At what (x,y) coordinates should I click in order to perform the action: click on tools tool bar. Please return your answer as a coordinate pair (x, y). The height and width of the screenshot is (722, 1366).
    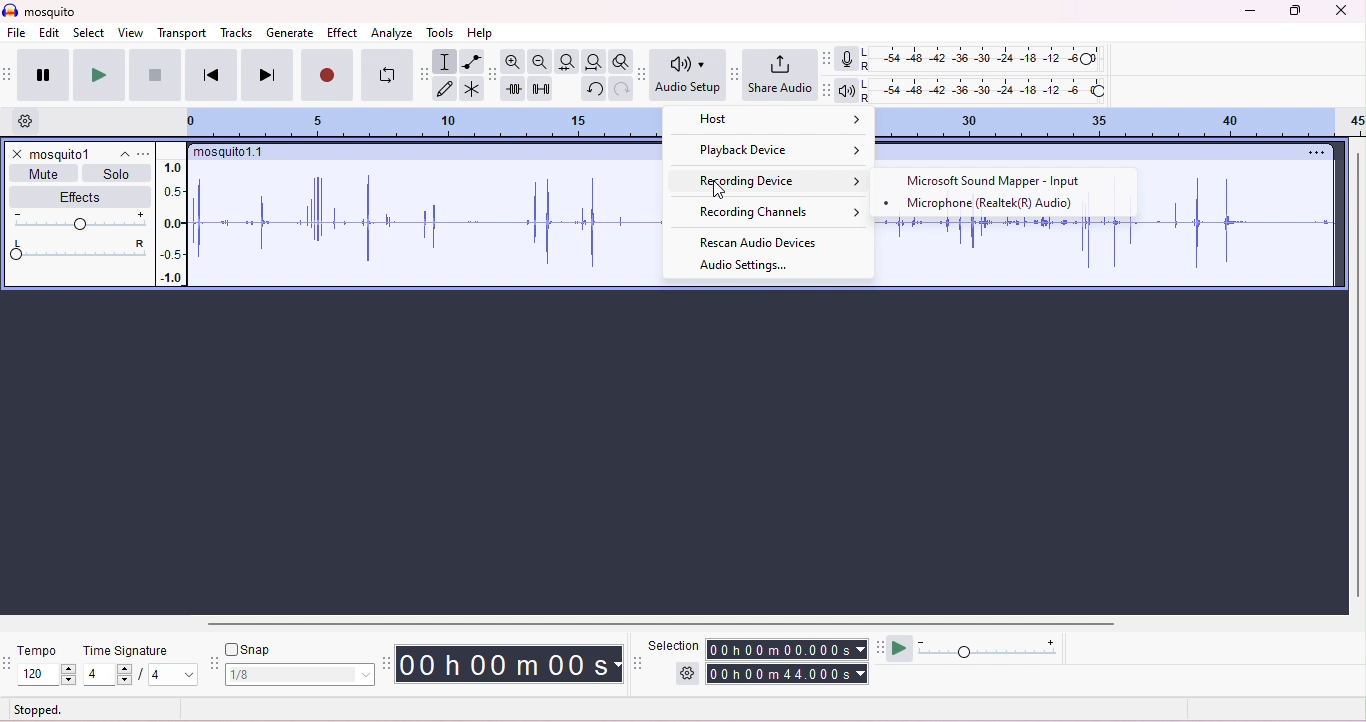
    Looking at the image, I should click on (427, 74).